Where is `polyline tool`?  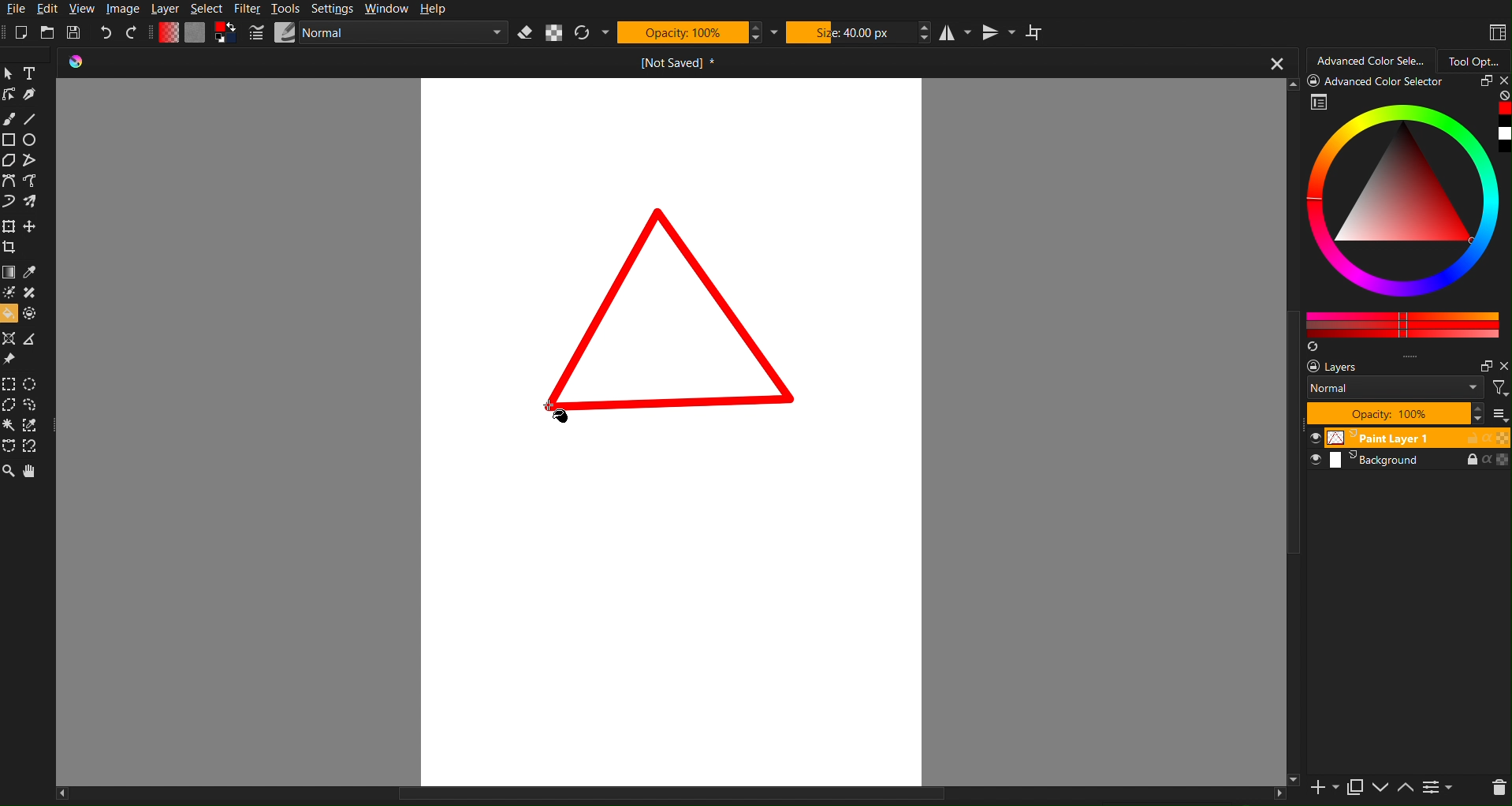
polyline tool is located at coordinates (30, 159).